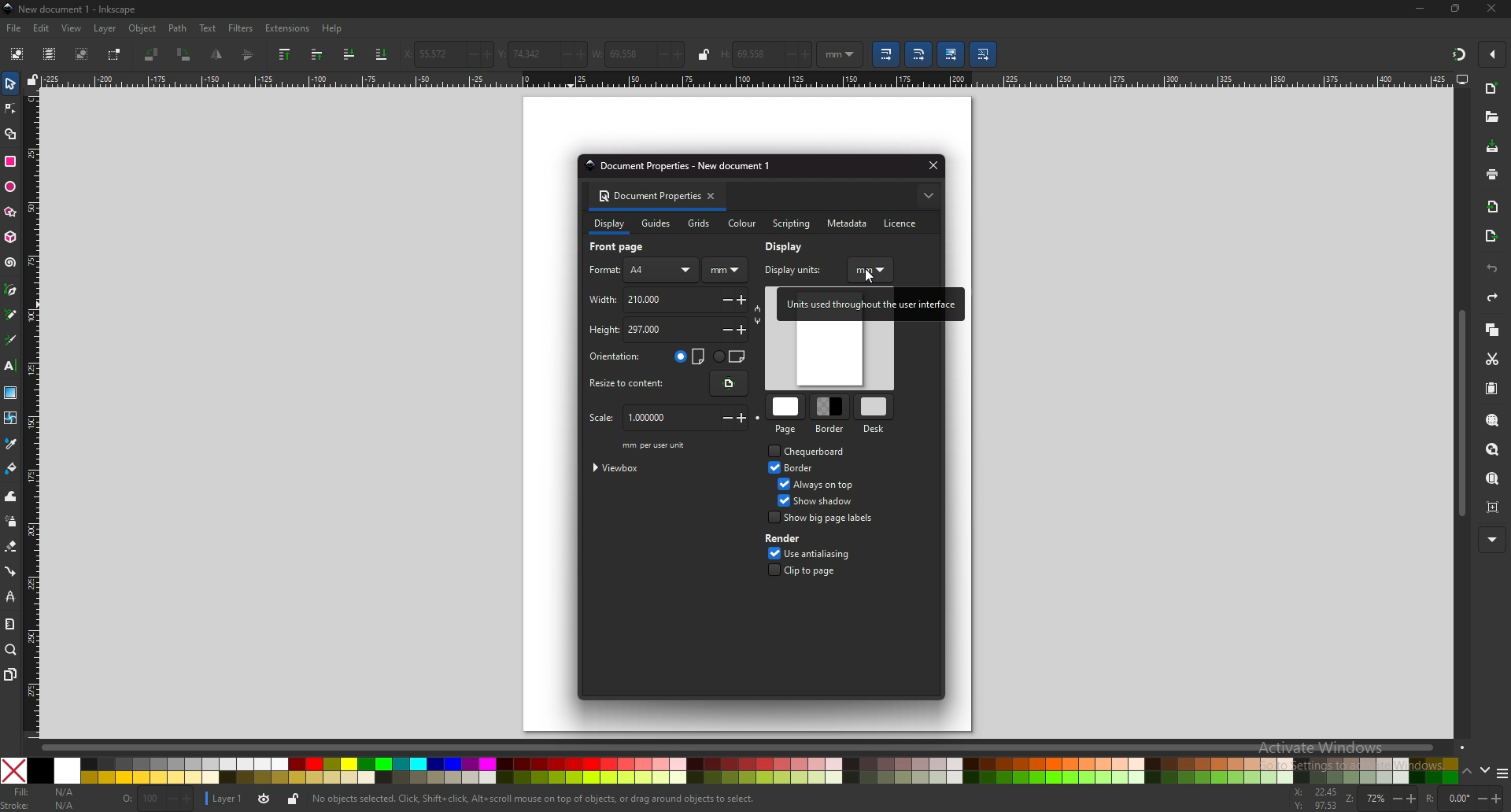  What do you see at coordinates (1493, 449) in the screenshot?
I see `zoom drawing` at bounding box center [1493, 449].